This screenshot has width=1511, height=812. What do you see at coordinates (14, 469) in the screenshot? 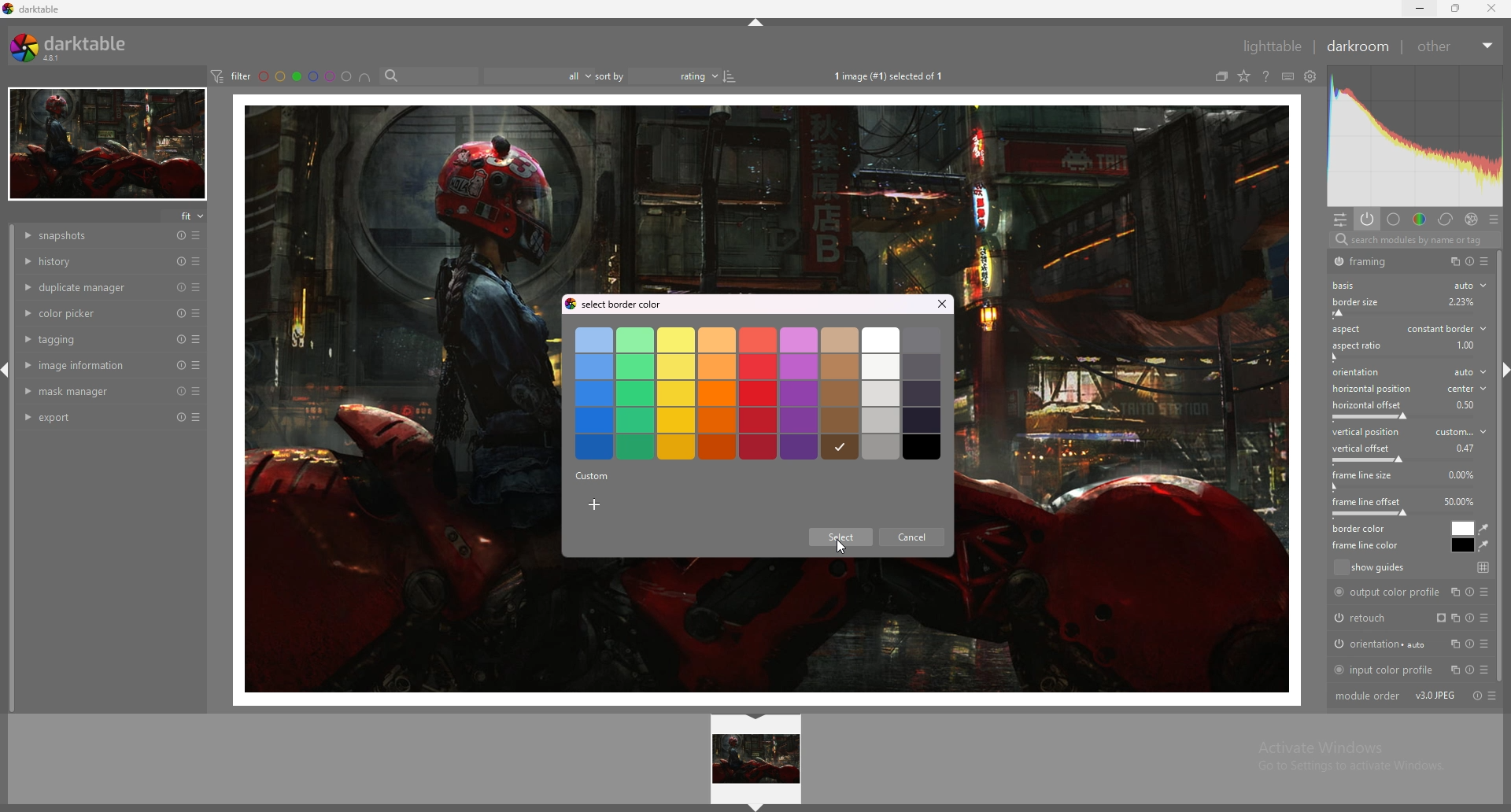
I see `scroll bar` at bounding box center [14, 469].